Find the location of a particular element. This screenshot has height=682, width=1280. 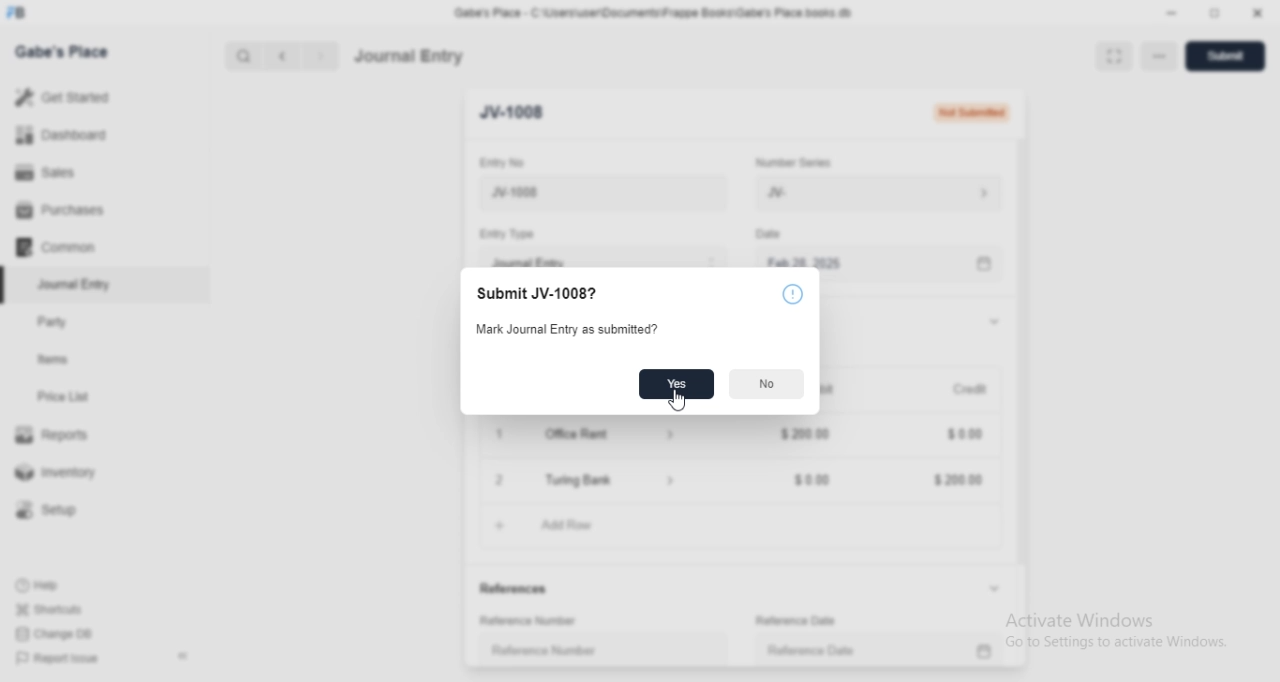

Submit JV-1008? is located at coordinates (543, 294).